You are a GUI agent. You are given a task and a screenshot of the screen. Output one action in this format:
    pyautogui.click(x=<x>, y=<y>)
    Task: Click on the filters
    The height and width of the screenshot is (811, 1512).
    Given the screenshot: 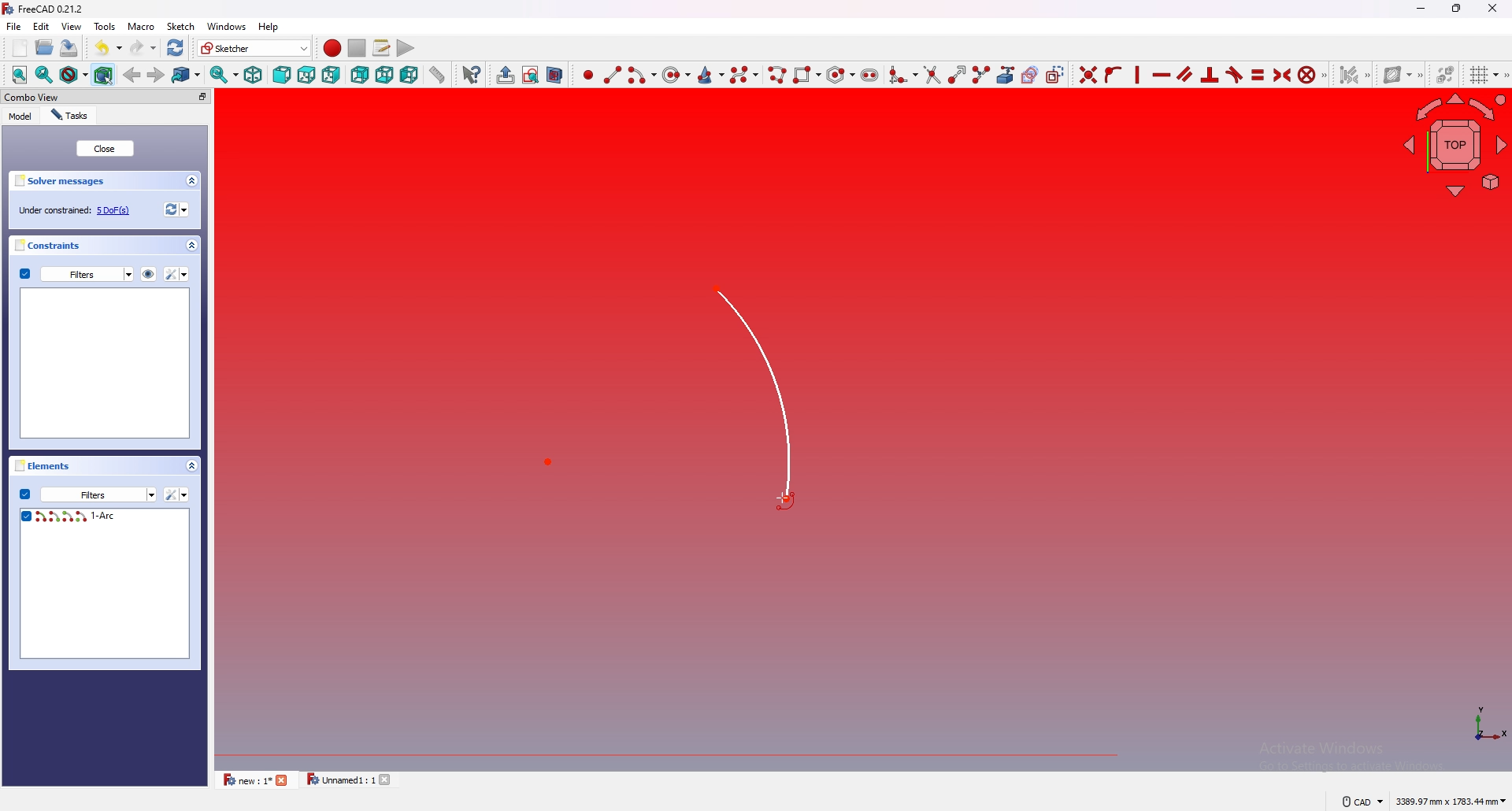 What is the action you would take?
    pyautogui.click(x=77, y=273)
    